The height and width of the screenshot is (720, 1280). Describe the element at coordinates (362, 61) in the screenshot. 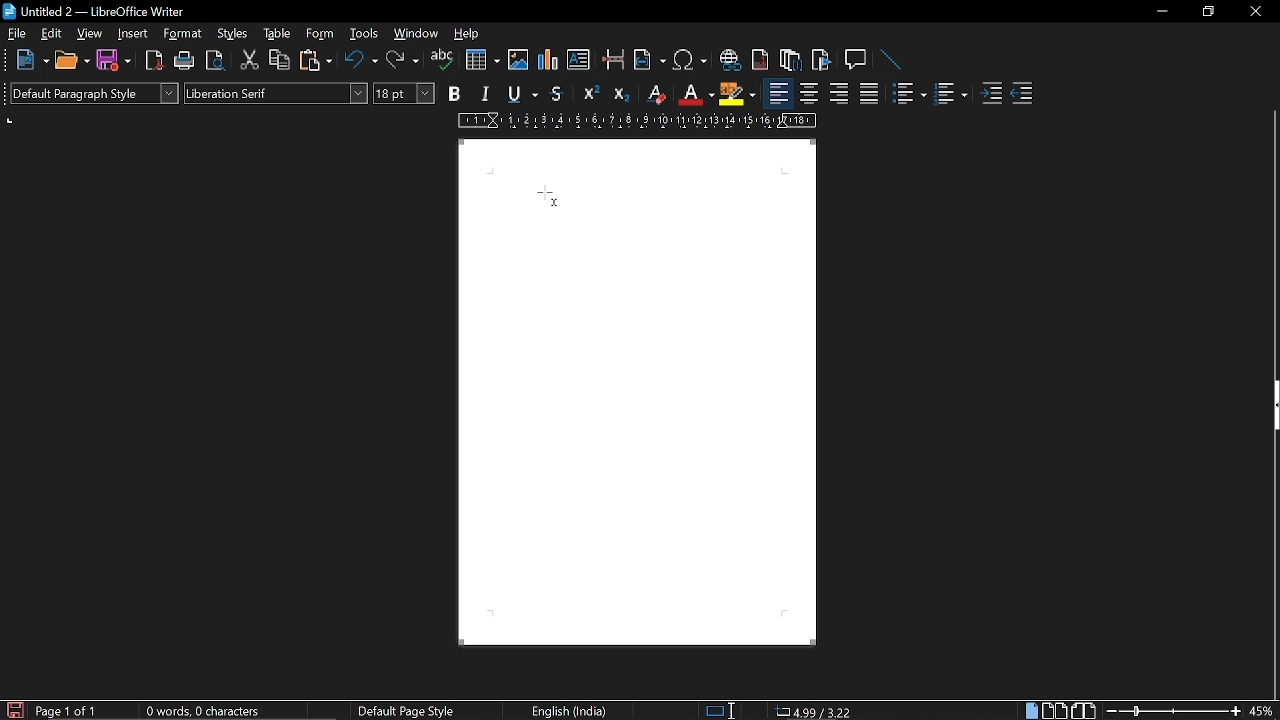

I see `undo` at that location.